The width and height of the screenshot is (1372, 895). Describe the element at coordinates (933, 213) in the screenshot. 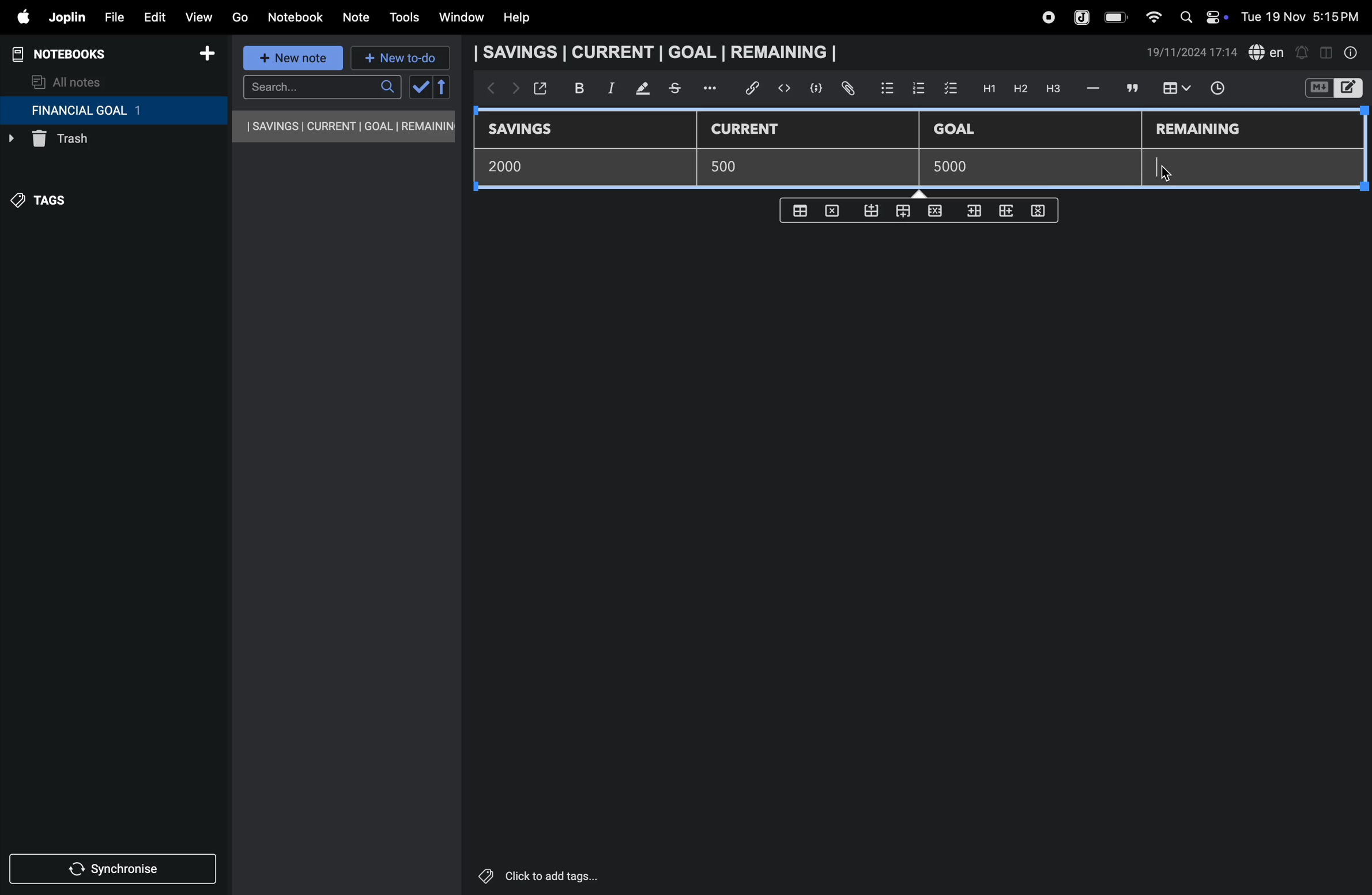

I see `close rows` at that location.